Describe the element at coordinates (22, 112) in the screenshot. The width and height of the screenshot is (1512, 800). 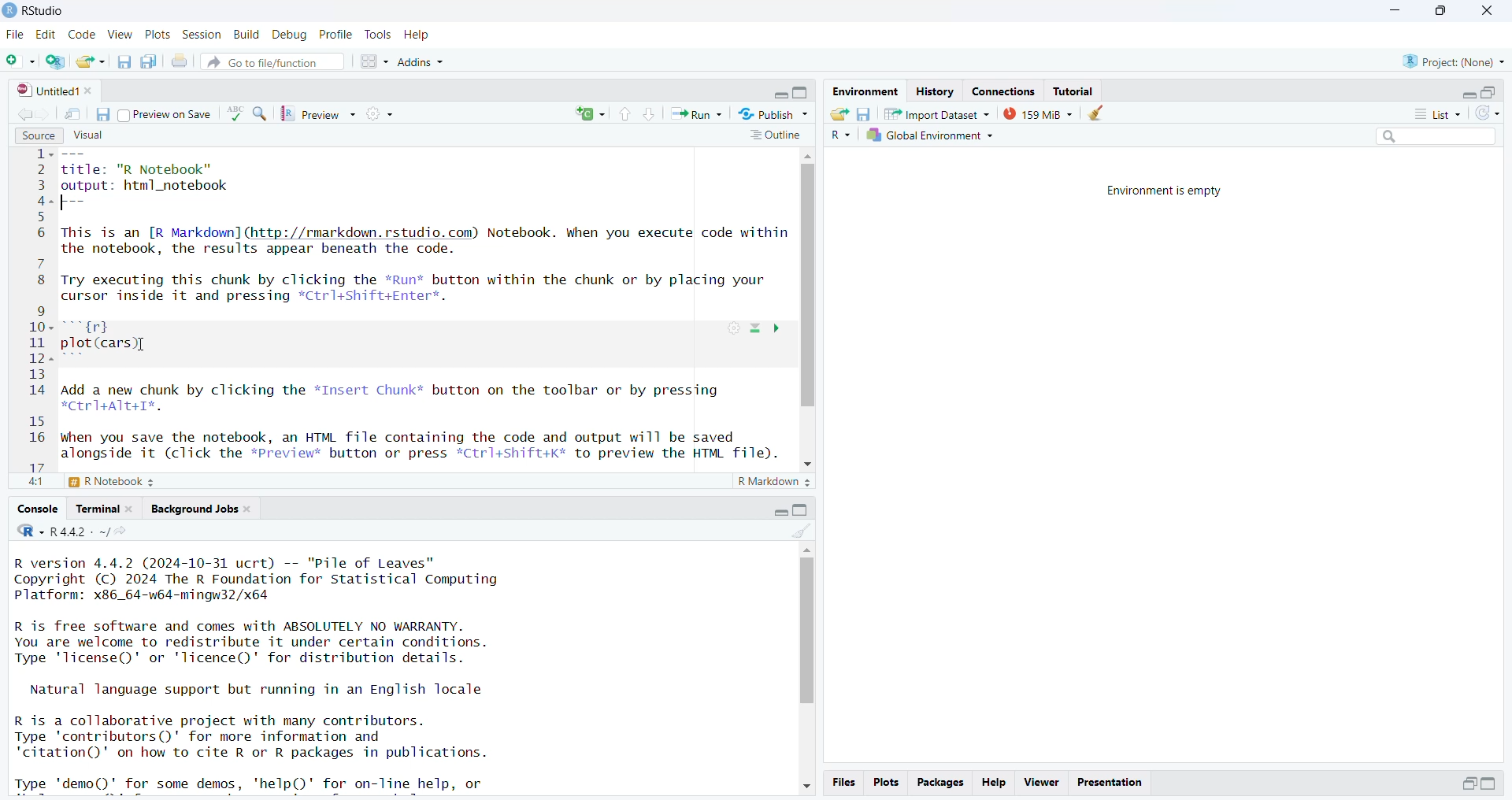
I see `go backward` at that location.